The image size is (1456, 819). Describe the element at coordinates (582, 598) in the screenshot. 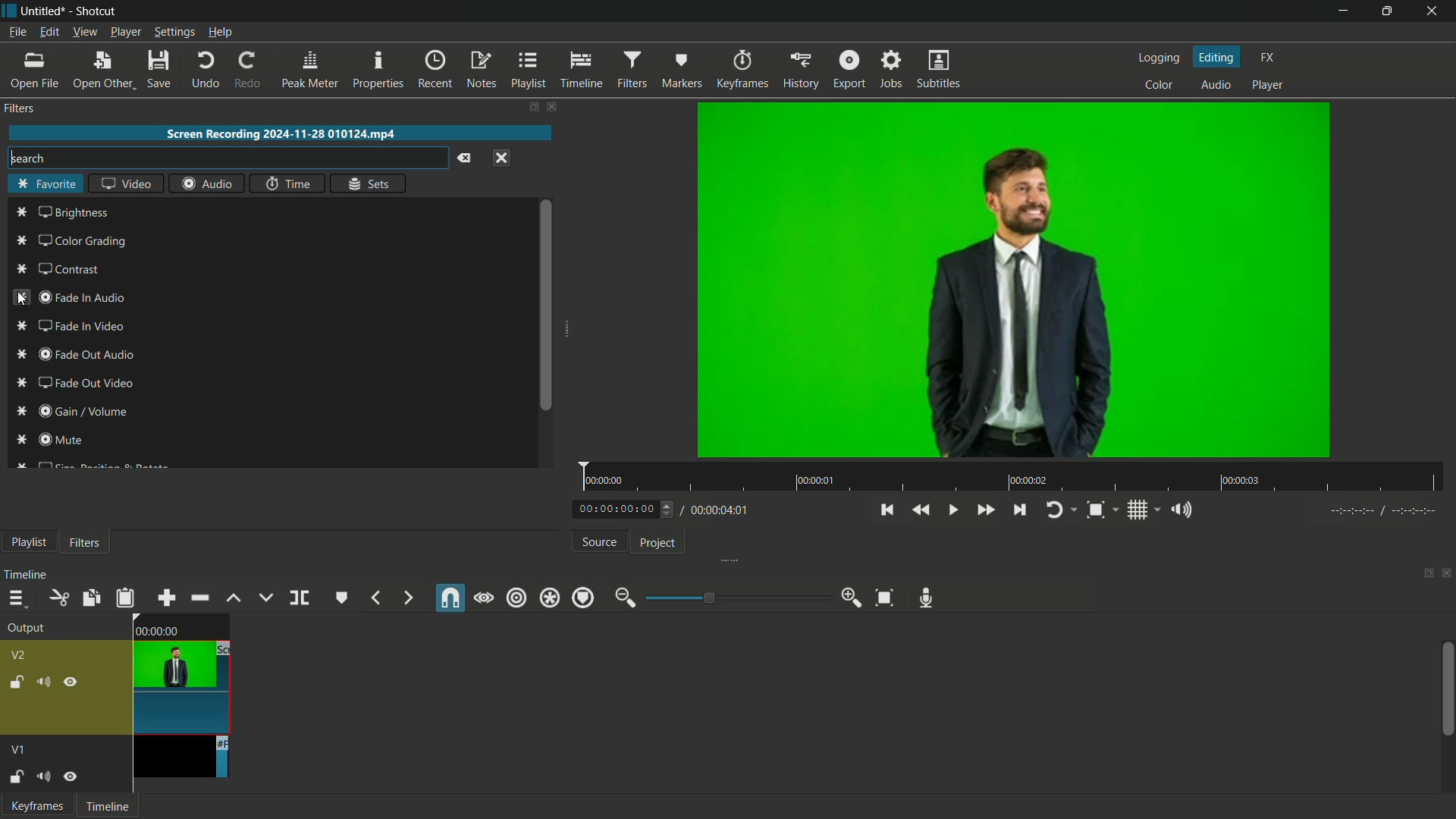

I see `ripple marker` at that location.